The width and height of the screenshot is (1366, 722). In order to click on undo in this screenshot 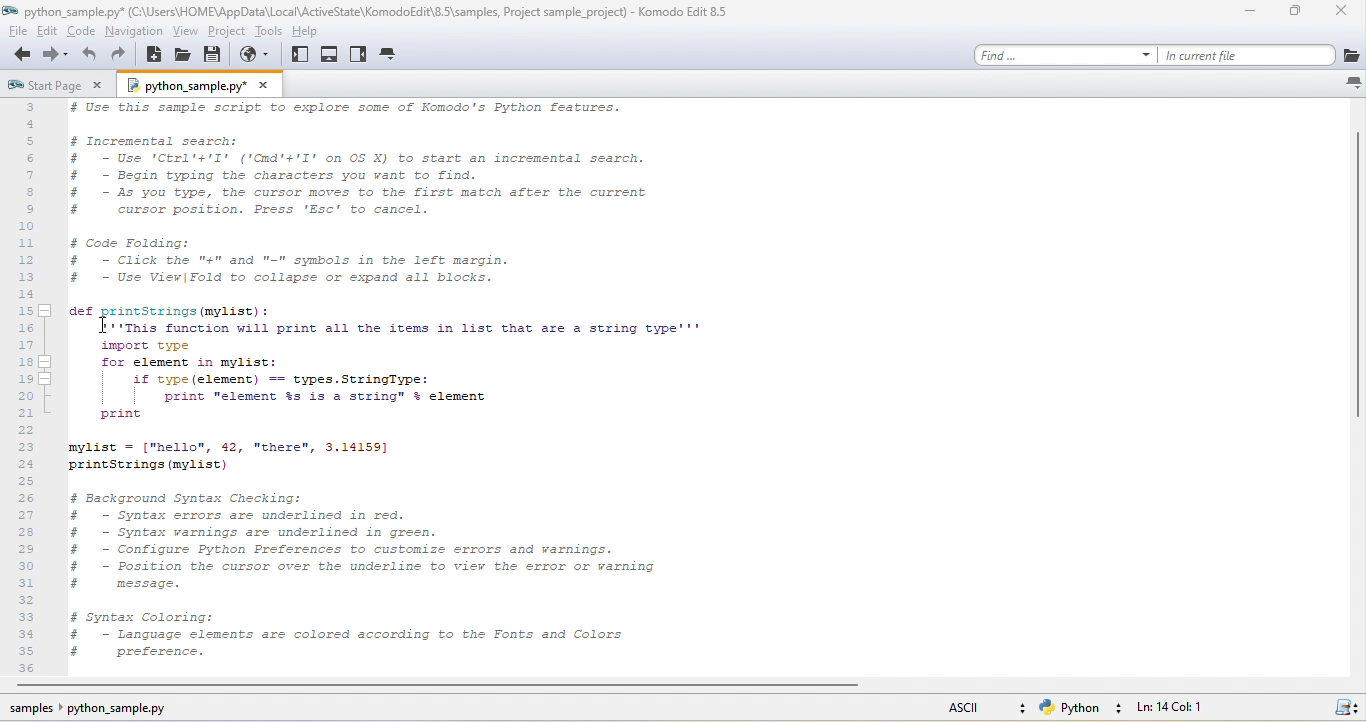, I will do `click(88, 56)`.